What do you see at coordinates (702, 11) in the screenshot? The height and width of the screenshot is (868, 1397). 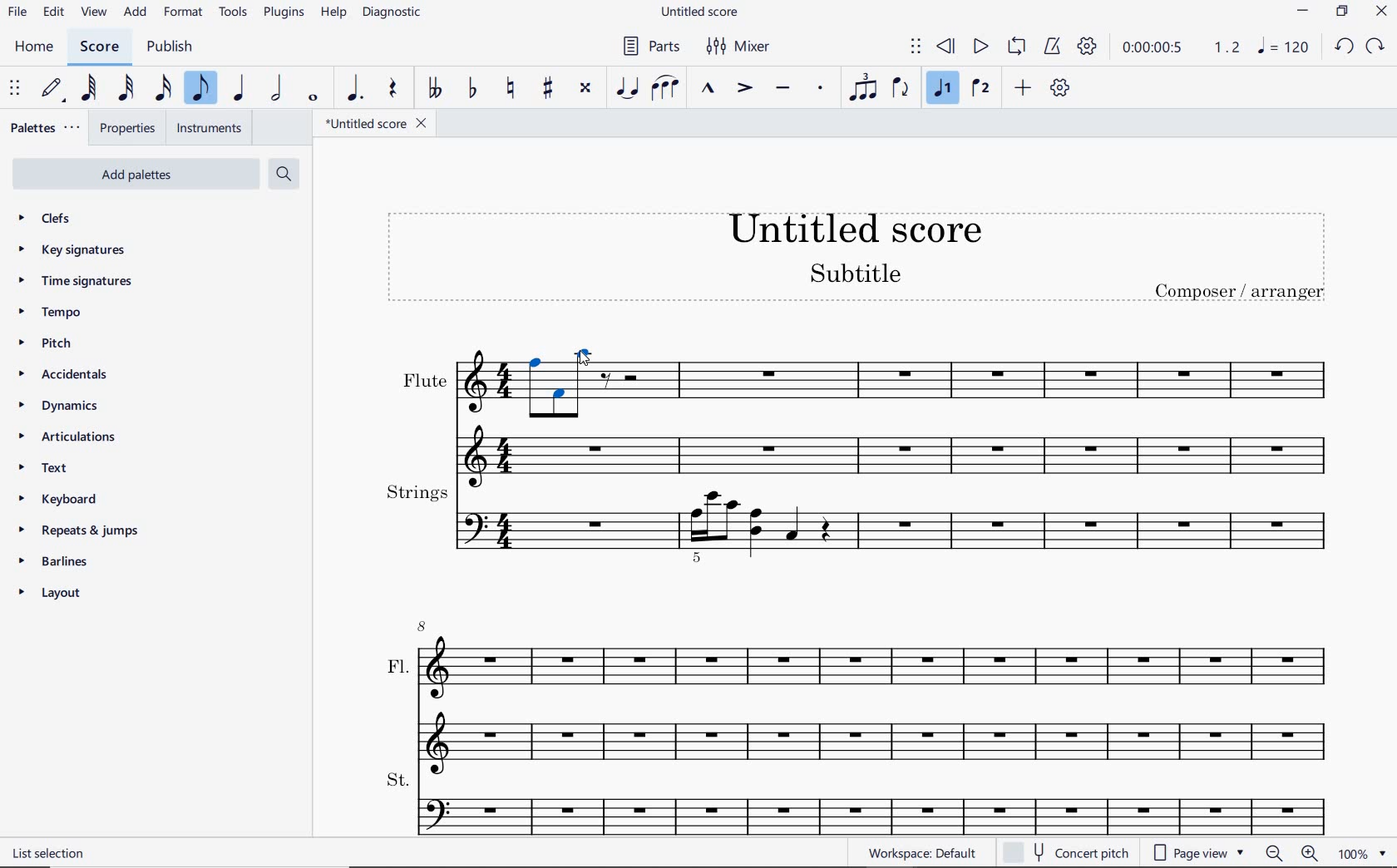 I see `file name` at bounding box center [702, 11].